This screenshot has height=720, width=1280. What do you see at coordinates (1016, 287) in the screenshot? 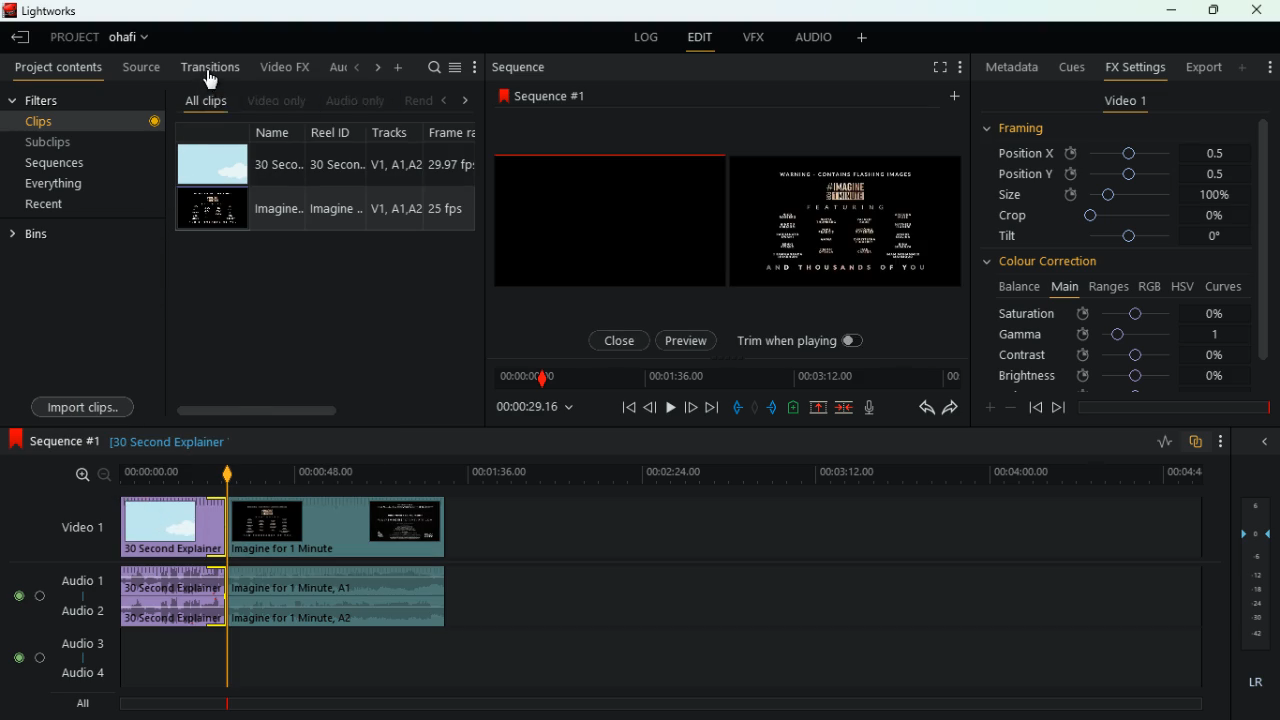
I see `balance` at bounding box center [1016, 287].